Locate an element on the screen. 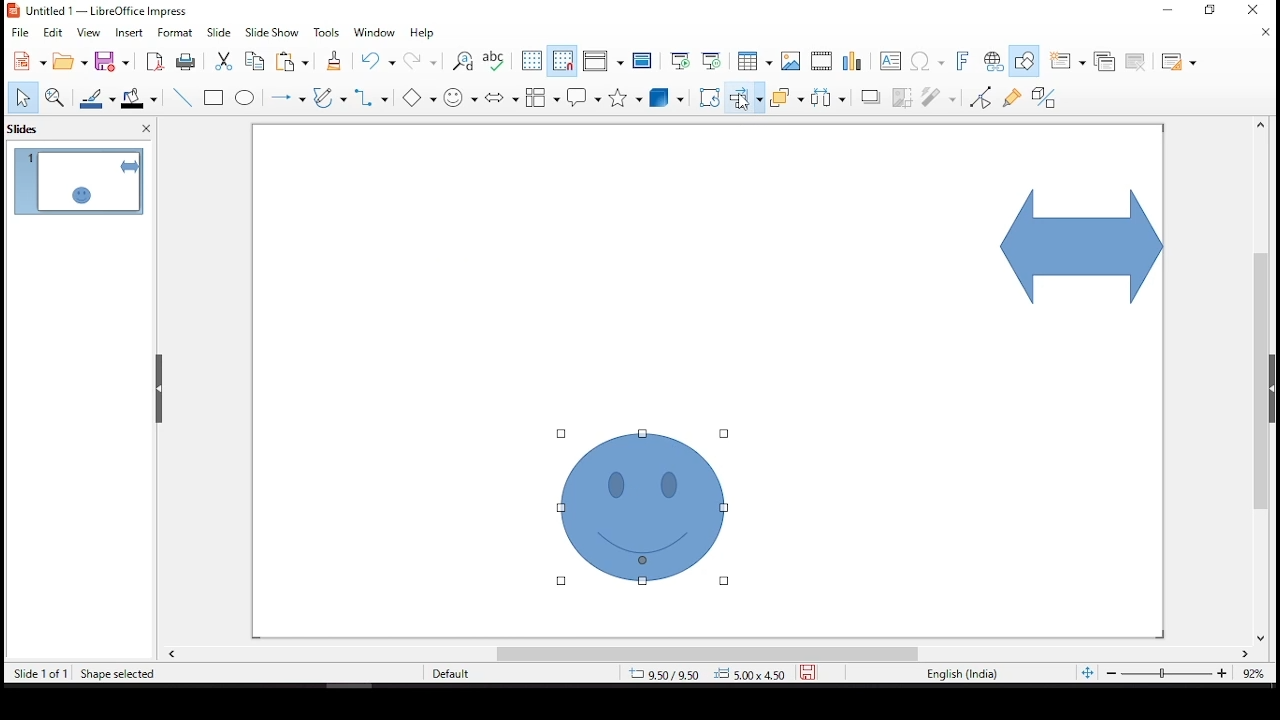 The height and width of the screenshot is (720, 1280). table is located at coordinates (755, 62).